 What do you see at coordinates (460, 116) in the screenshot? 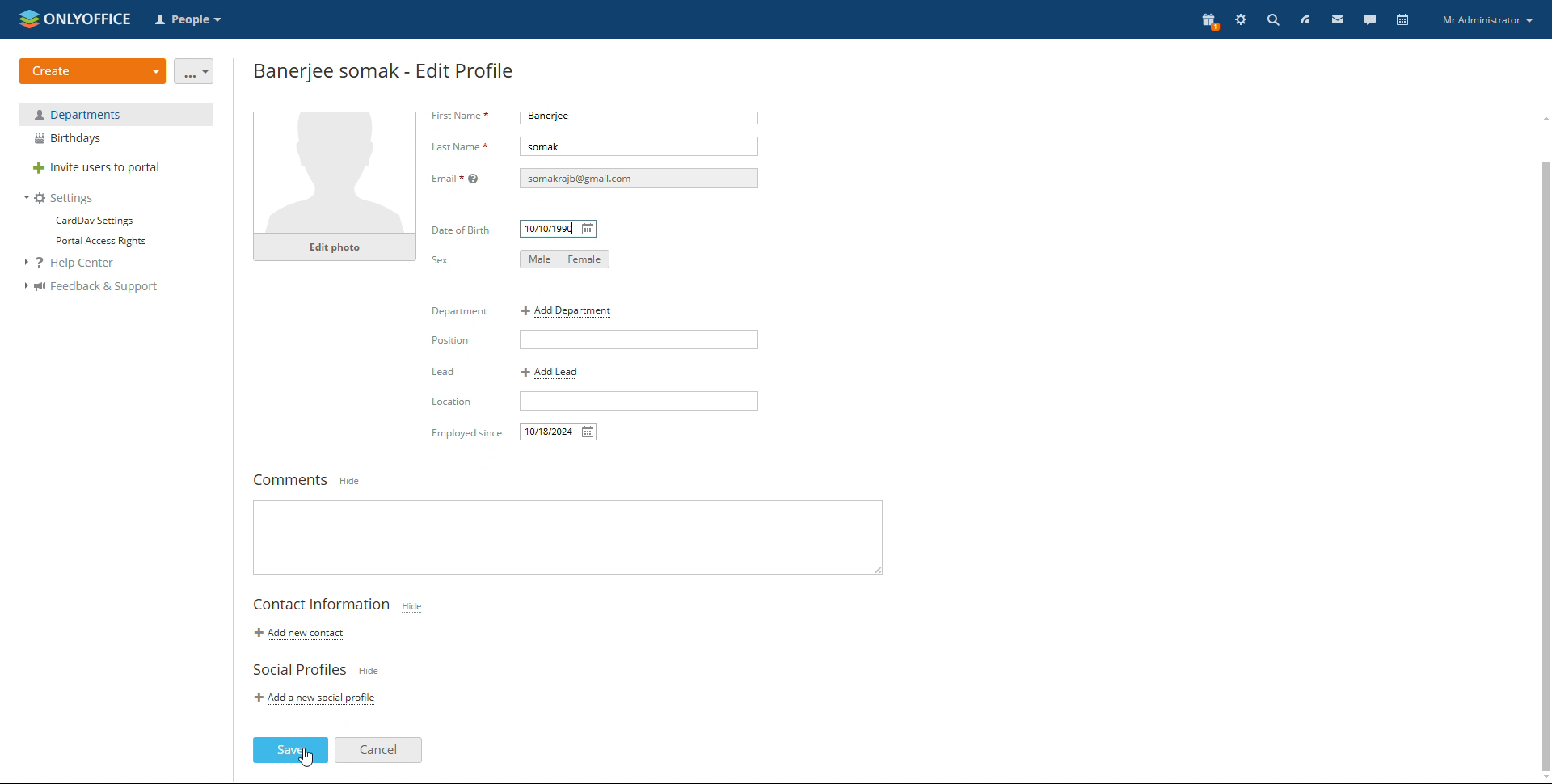
I see `first name` at bounding box center [460, 116].